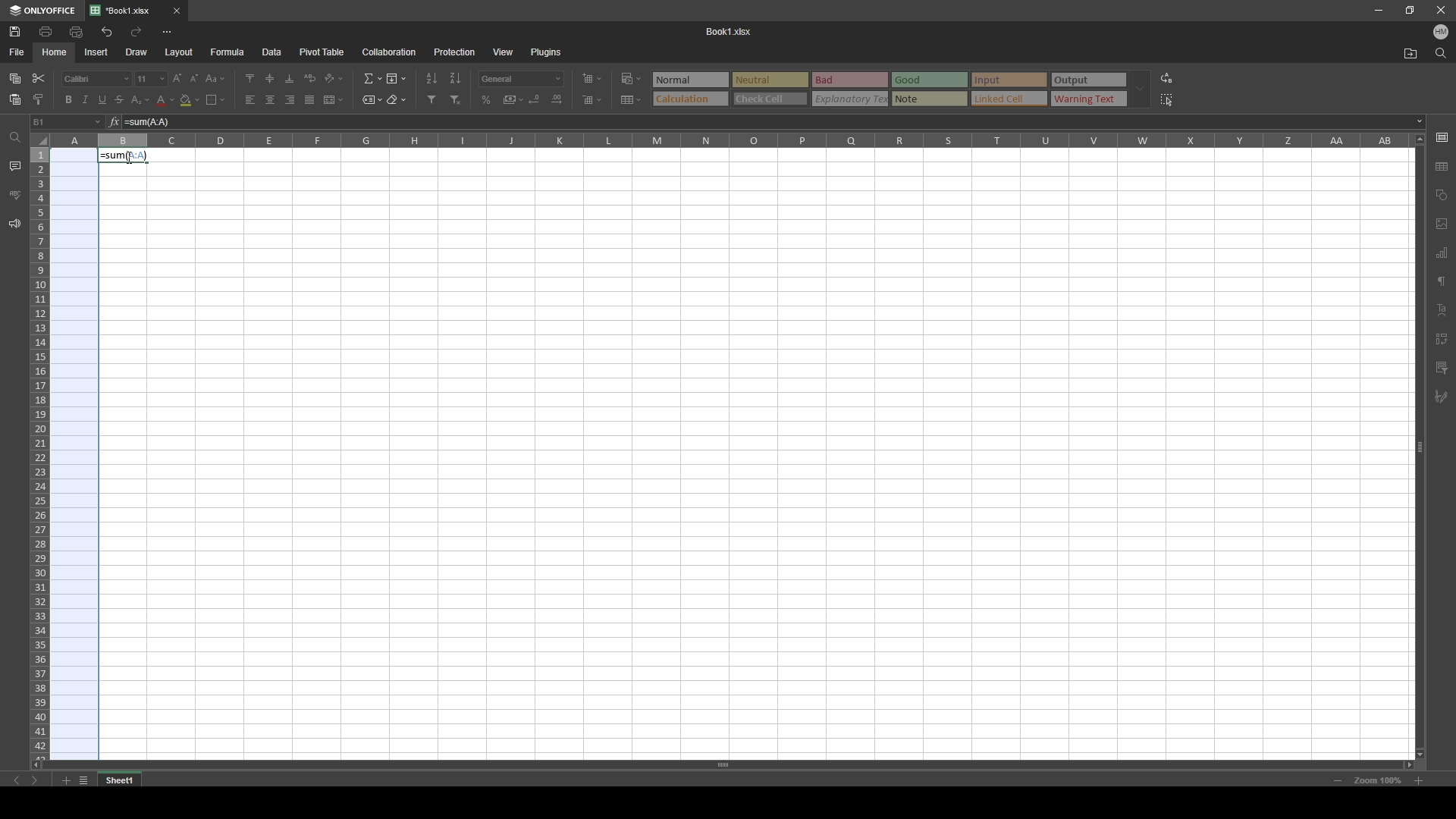 The image size is (1456, 819). Describe the element at coordinates (372, 99) in the screenshot. I see `named ranges` at that location.